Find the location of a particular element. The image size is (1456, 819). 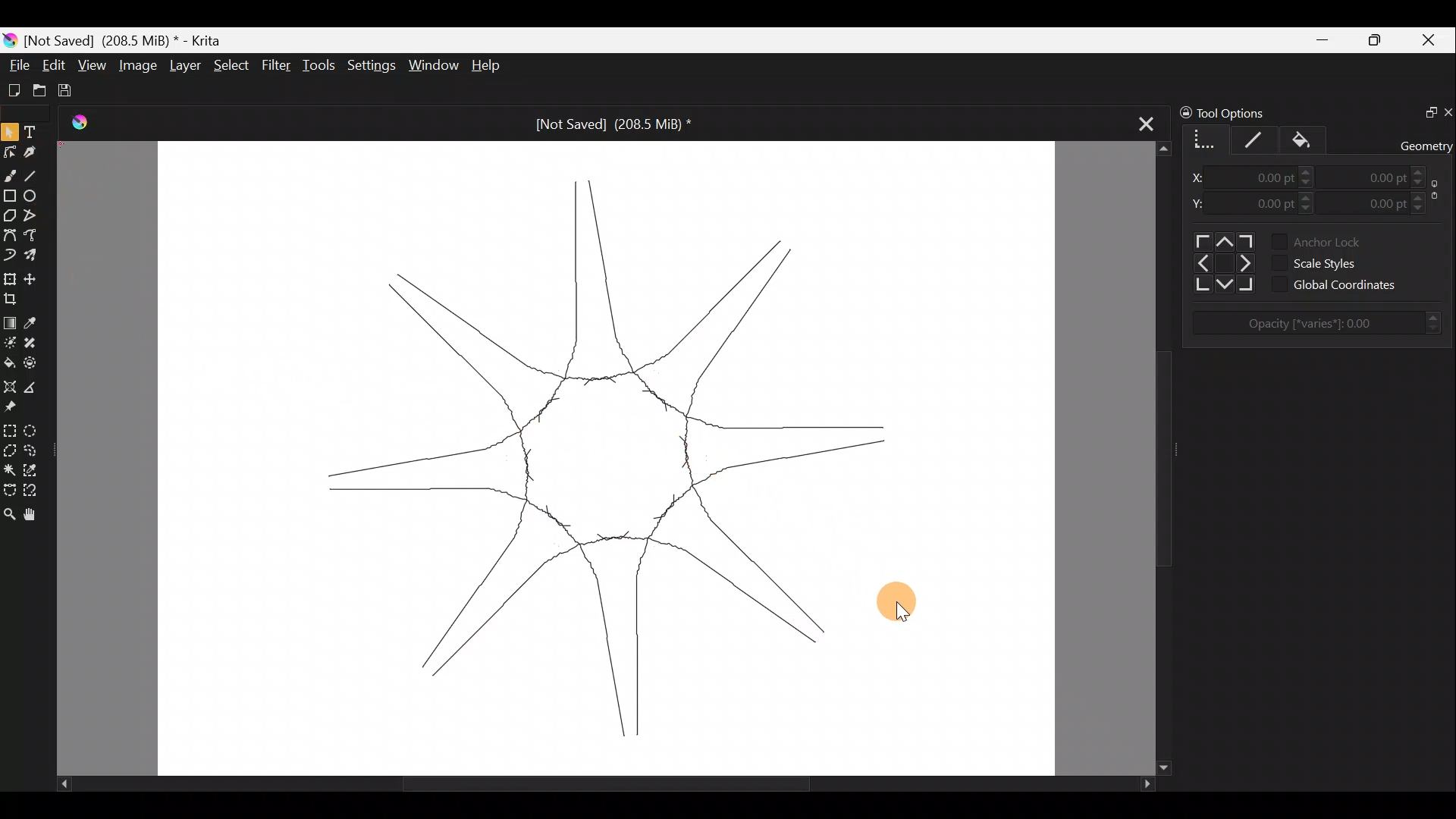

Assistant tool is located at coordinates (11, 387).